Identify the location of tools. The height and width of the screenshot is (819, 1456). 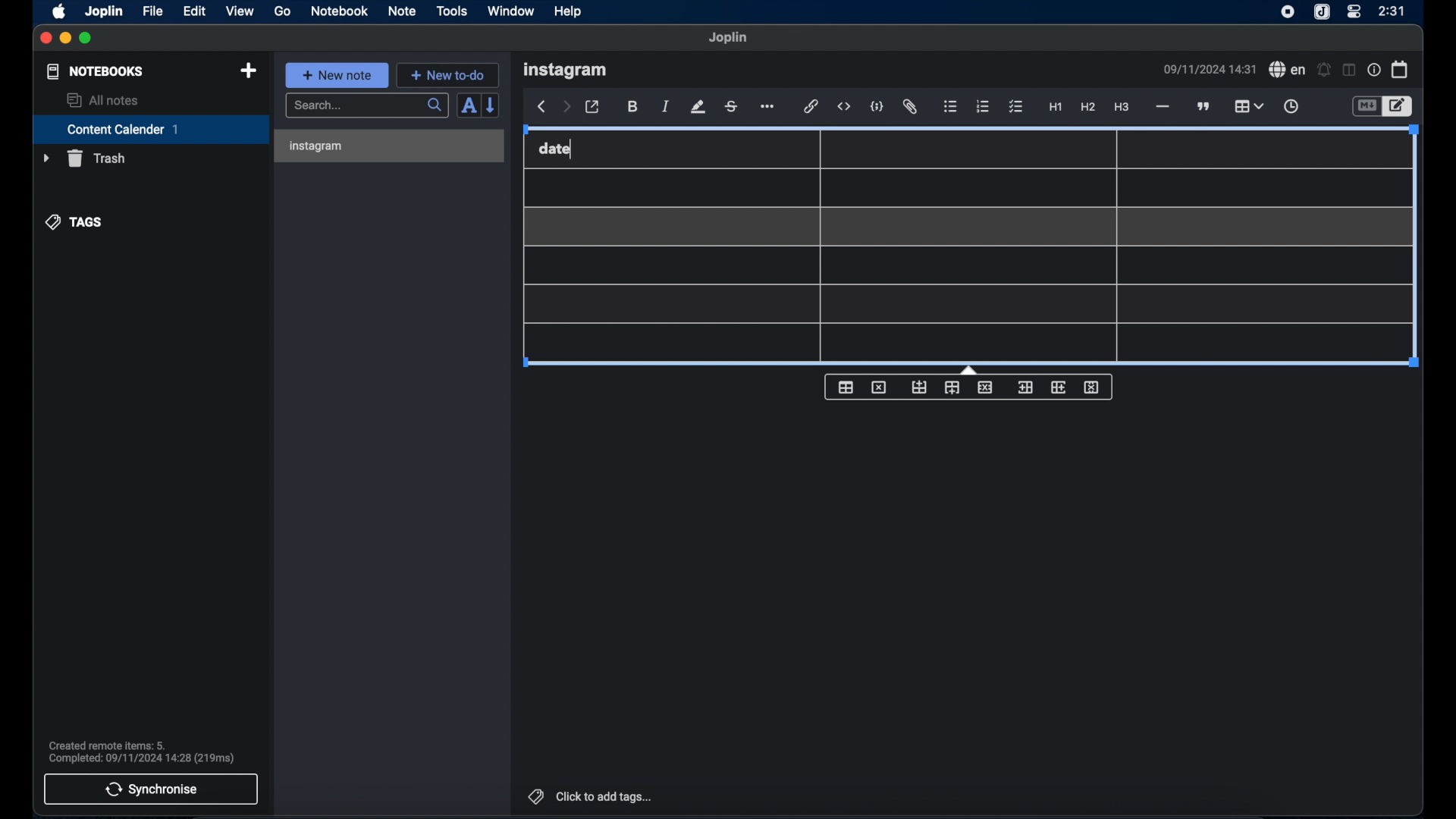
(451, 11).